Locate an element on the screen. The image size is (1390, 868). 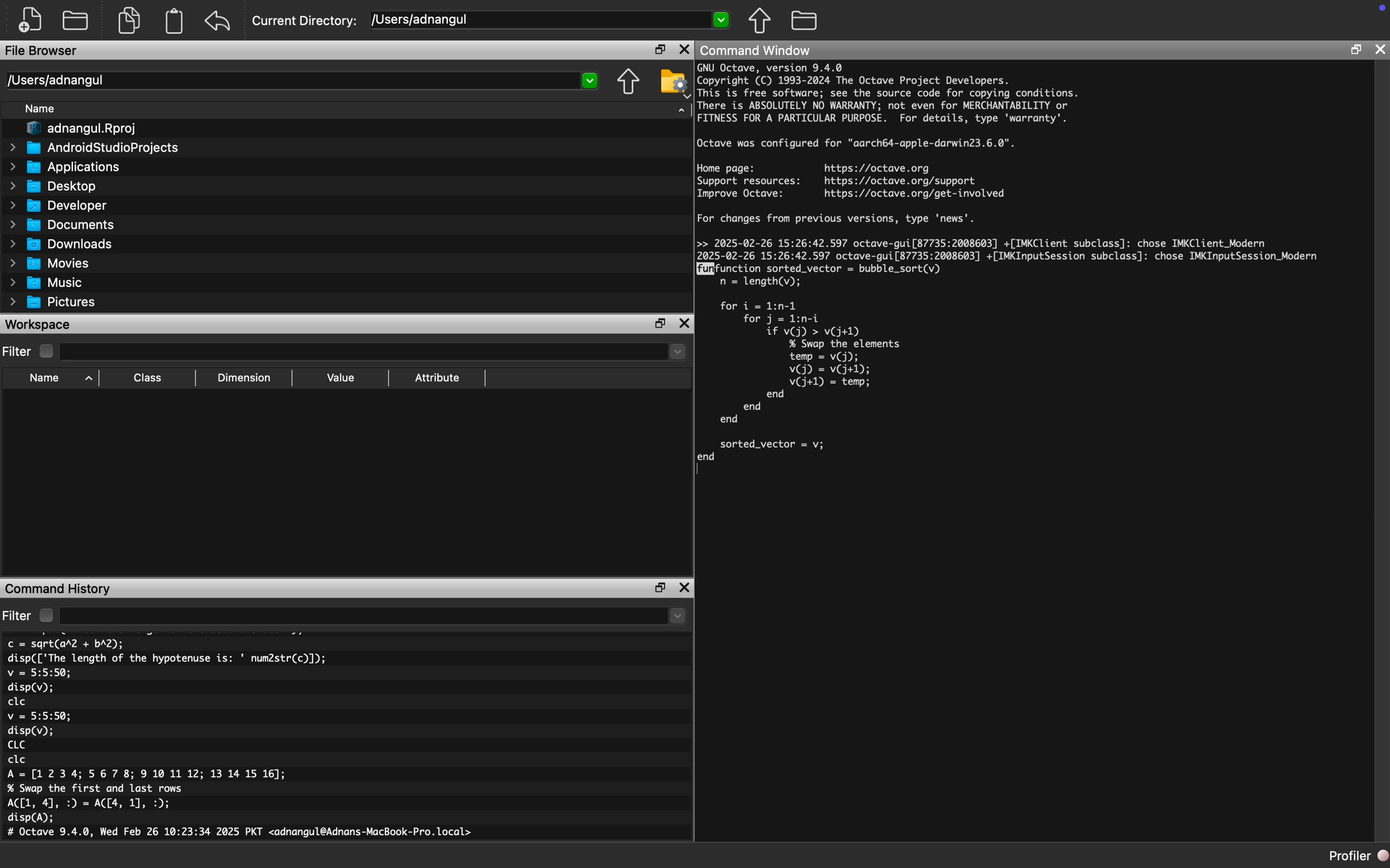
/[Users/adnangul  is located at coordinates (551, 21).